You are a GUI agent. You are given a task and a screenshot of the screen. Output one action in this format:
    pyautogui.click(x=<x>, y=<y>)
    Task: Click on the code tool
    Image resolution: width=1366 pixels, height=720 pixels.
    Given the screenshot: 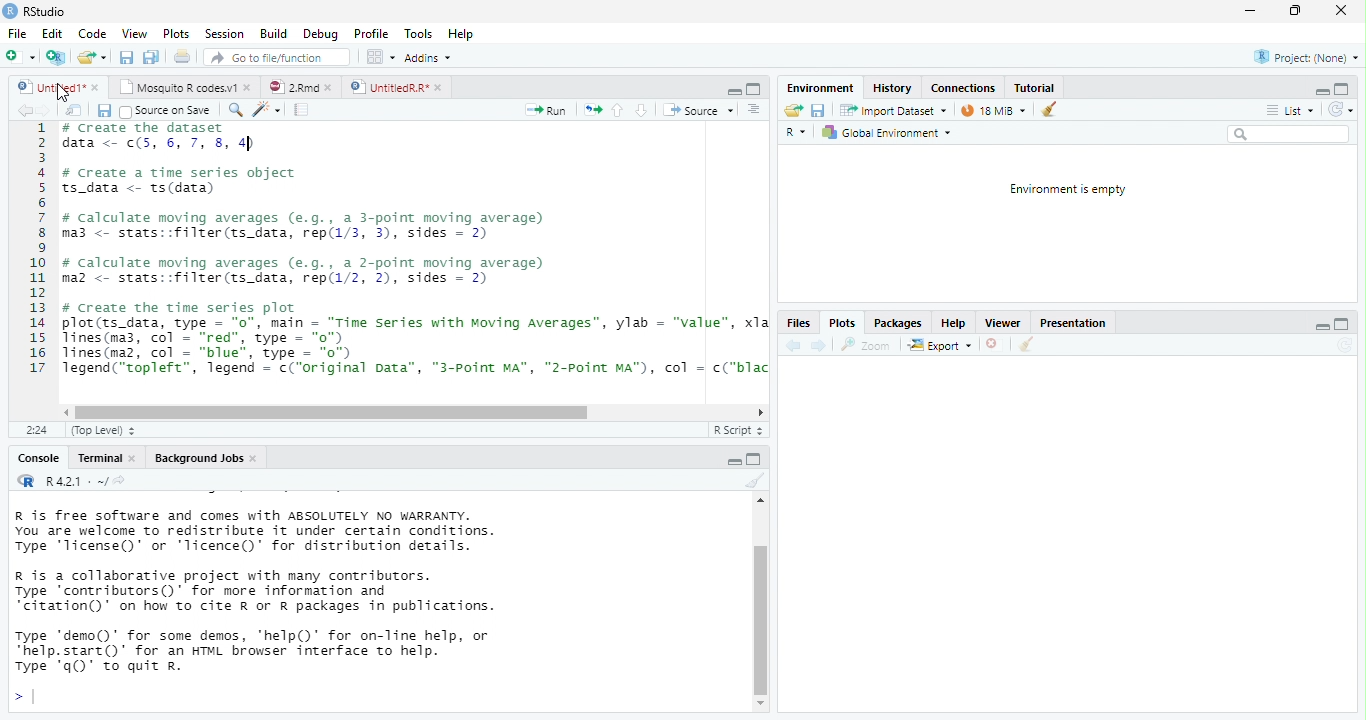 What is the action you would take?
    pyautogui.click(x=268, y=109)
    